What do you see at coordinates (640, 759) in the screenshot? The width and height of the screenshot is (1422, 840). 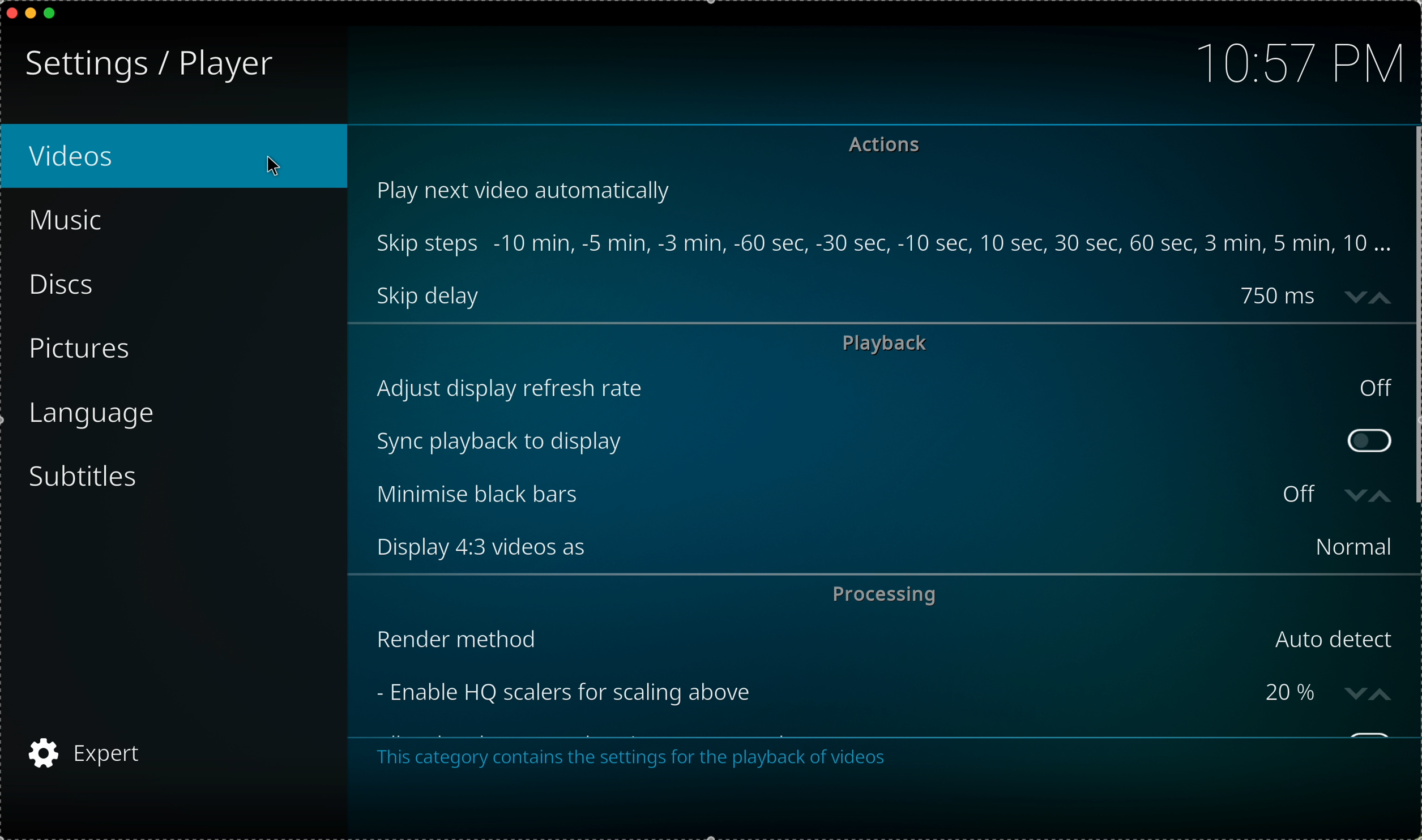 I see `This category contains the settings for the playback of videos` at bounding box center [640, 759].